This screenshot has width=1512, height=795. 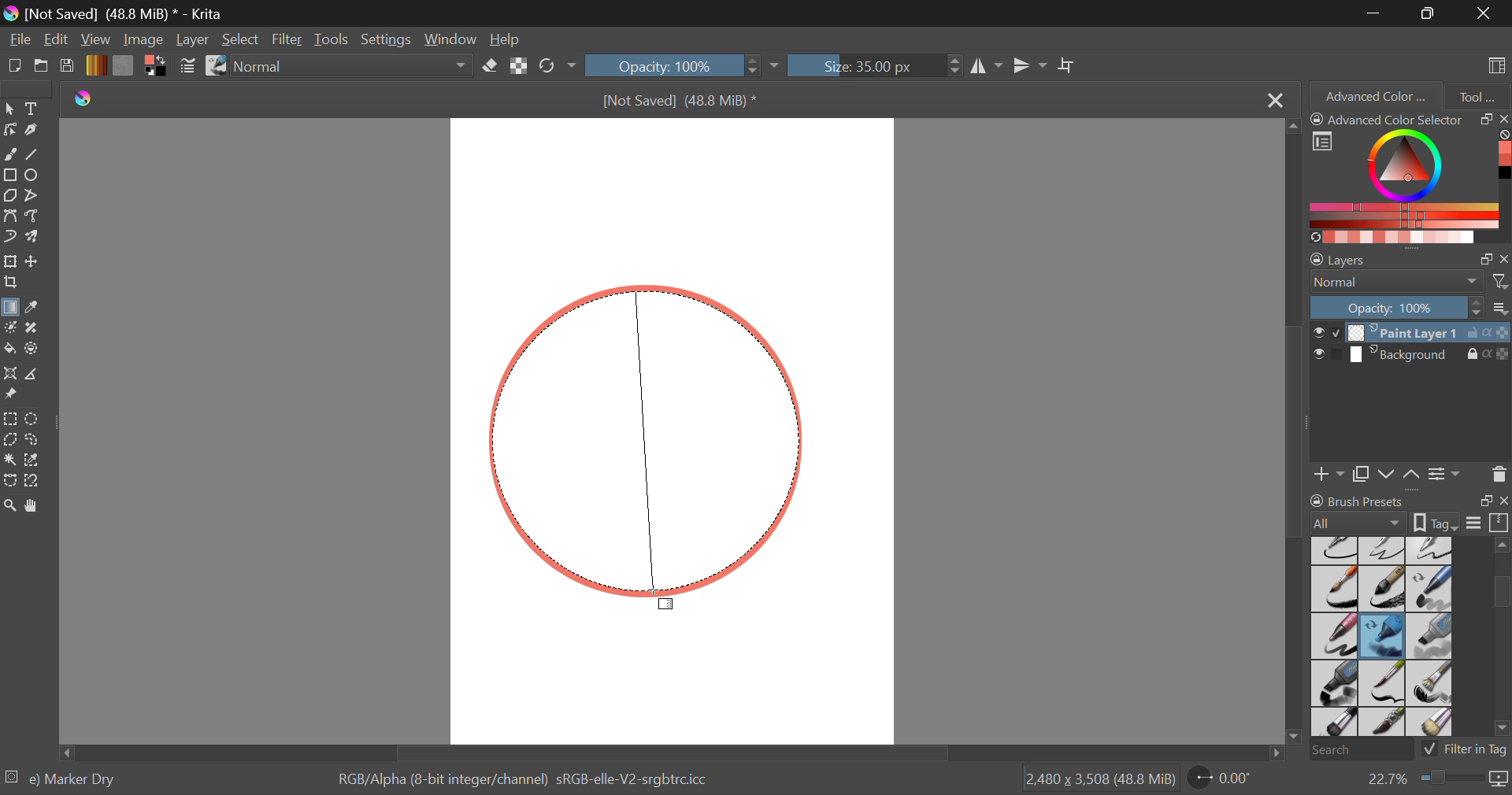 What do you see at coordinates (34, 261) in the screenshot?
I see `Move a layer` at bounding box center [34, 261].